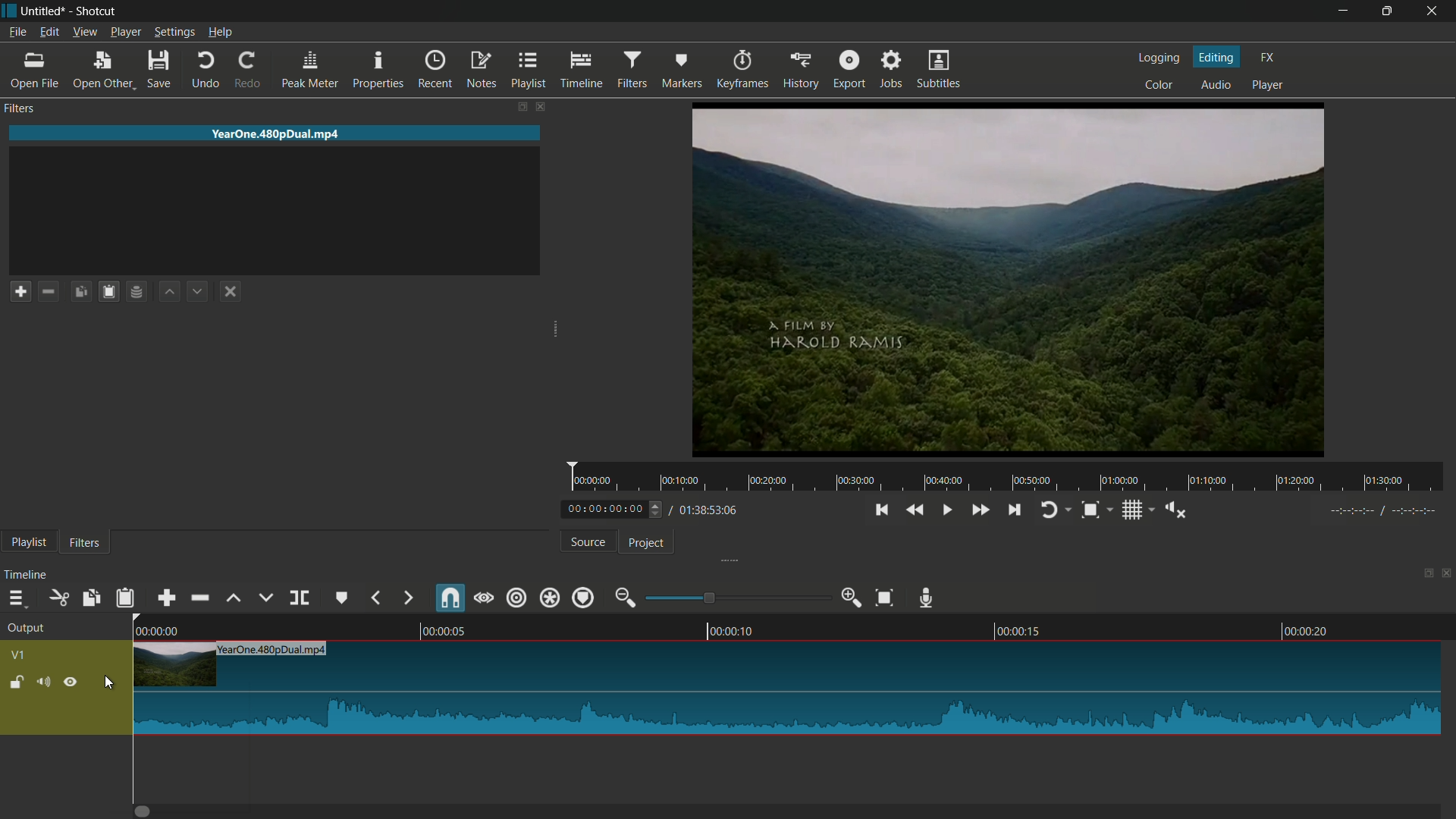  I want to click on player, so click(1268, 86).